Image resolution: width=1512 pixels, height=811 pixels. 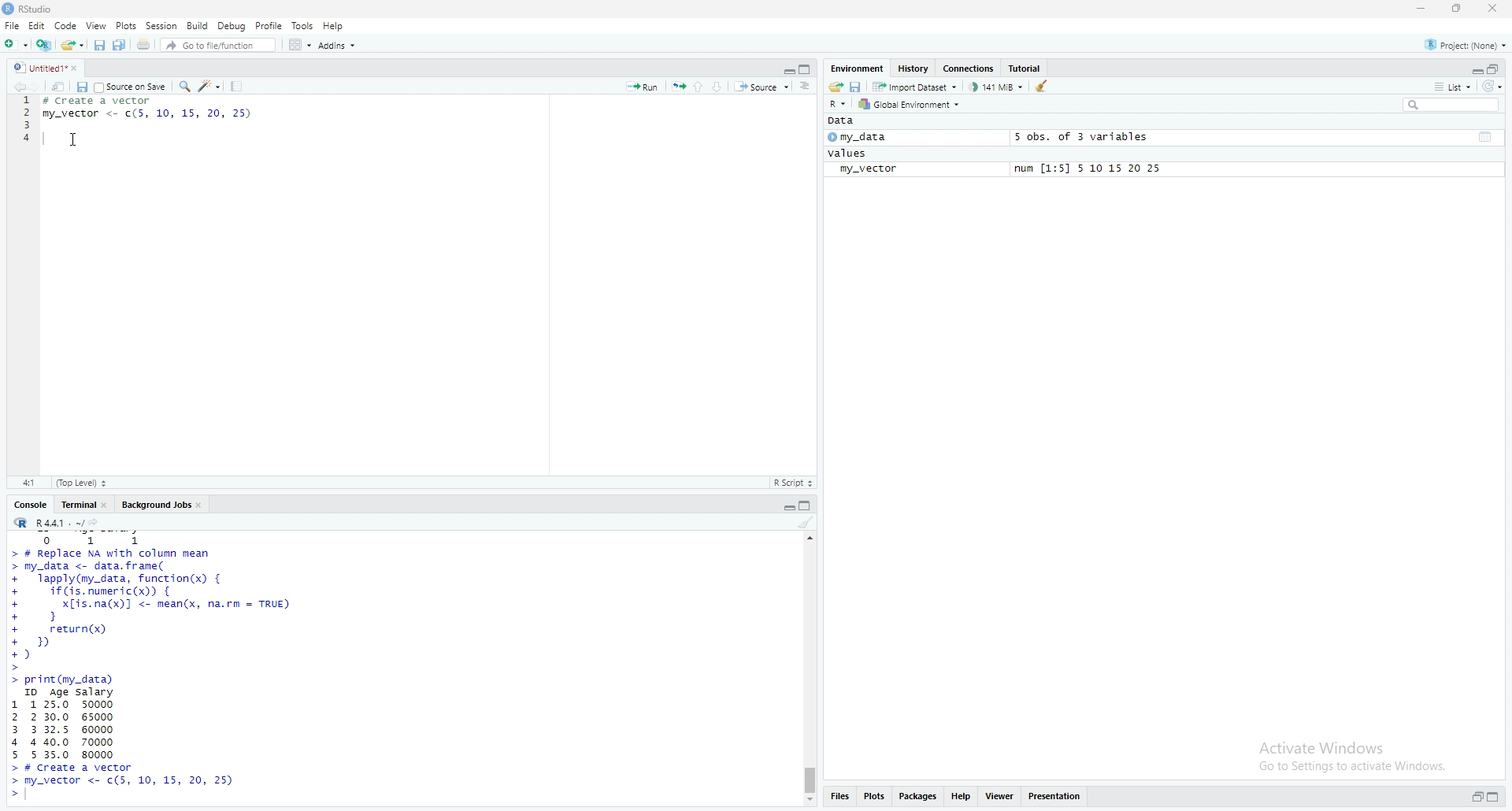 I want to click on R Script , so click(x=795, y=483).